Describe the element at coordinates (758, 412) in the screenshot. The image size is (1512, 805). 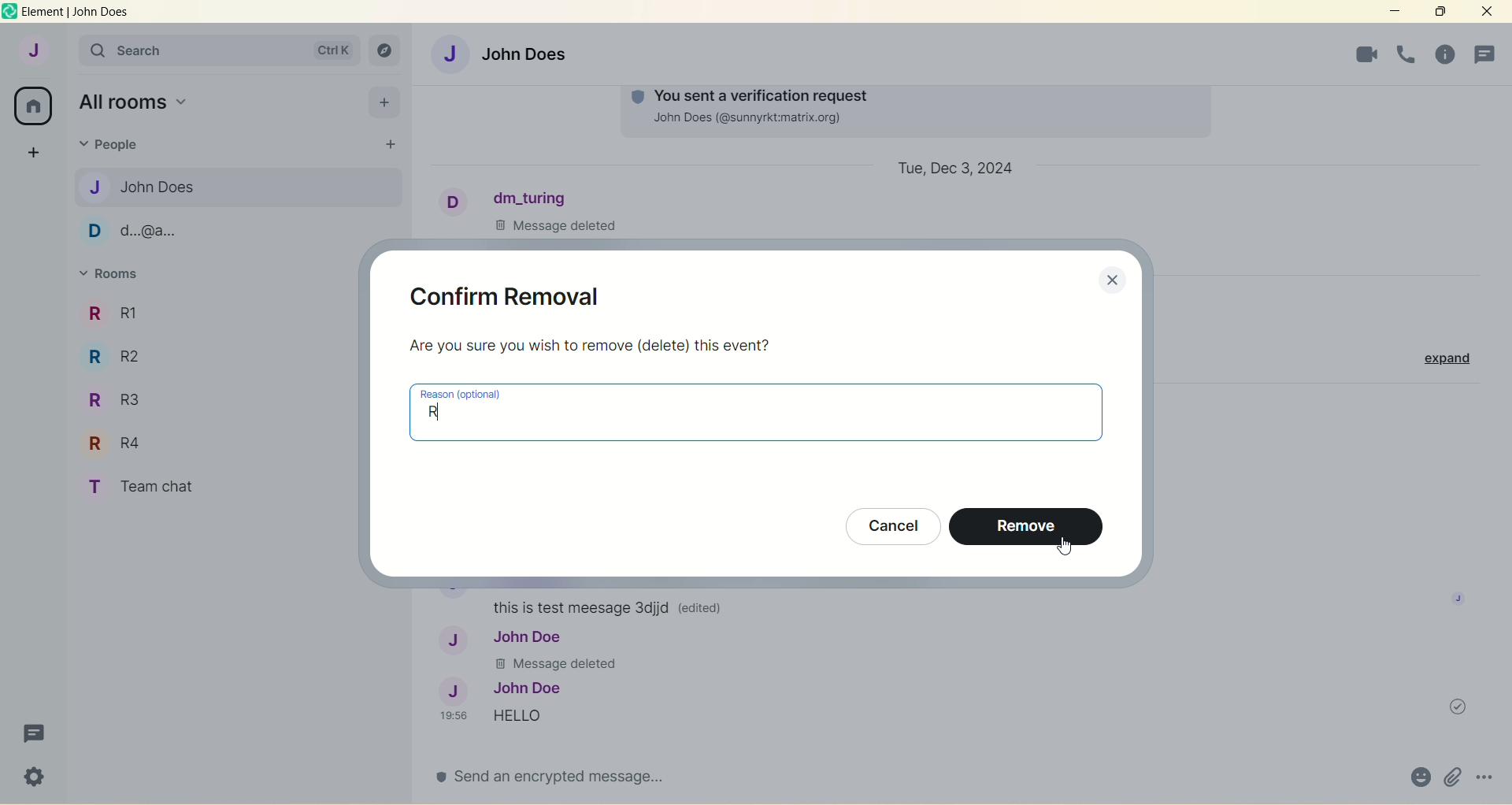
I see `reason (optional) R` at that location.